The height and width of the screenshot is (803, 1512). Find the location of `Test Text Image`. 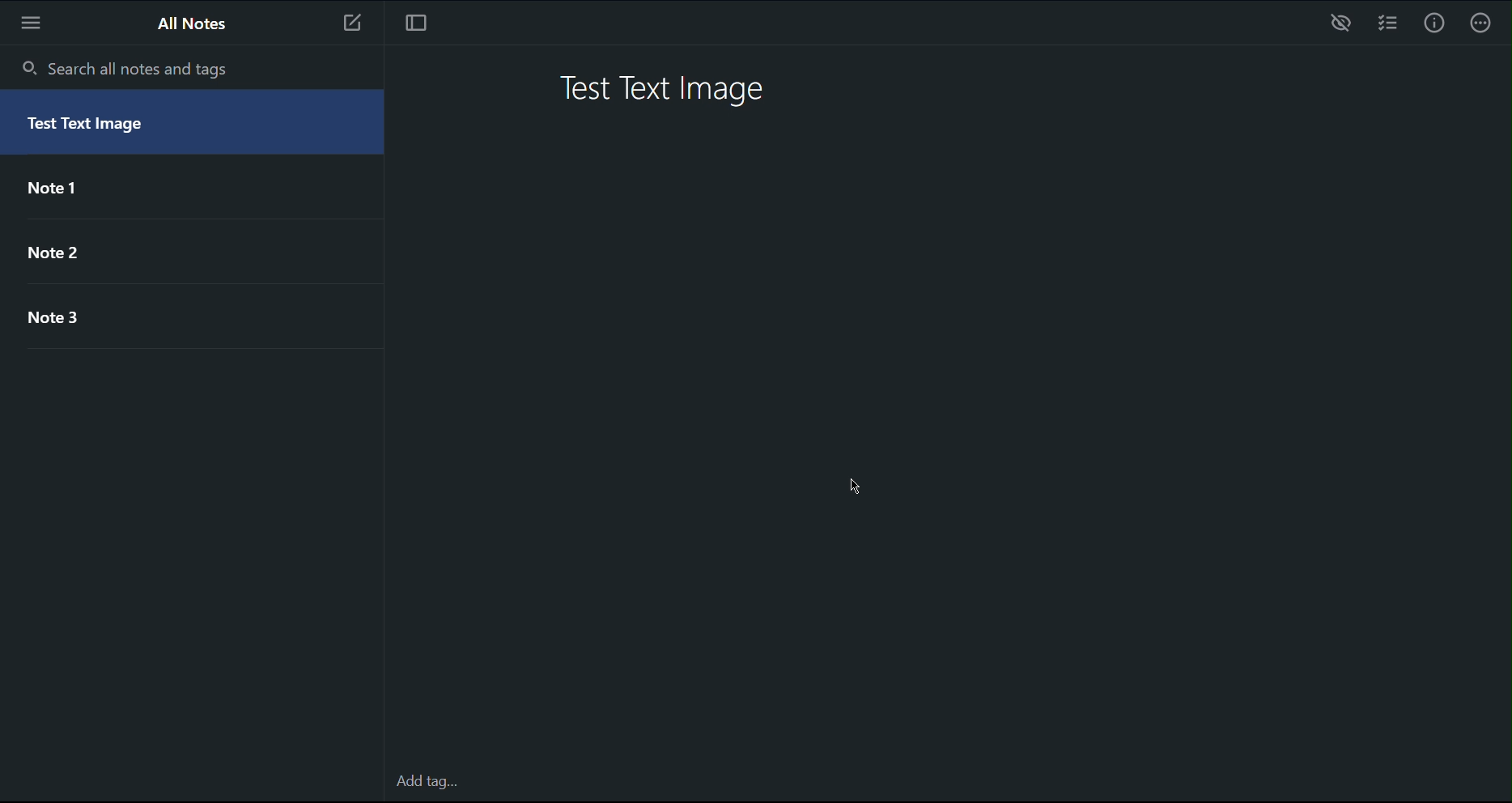

Test Text Image is located at coordinates (95, 125).